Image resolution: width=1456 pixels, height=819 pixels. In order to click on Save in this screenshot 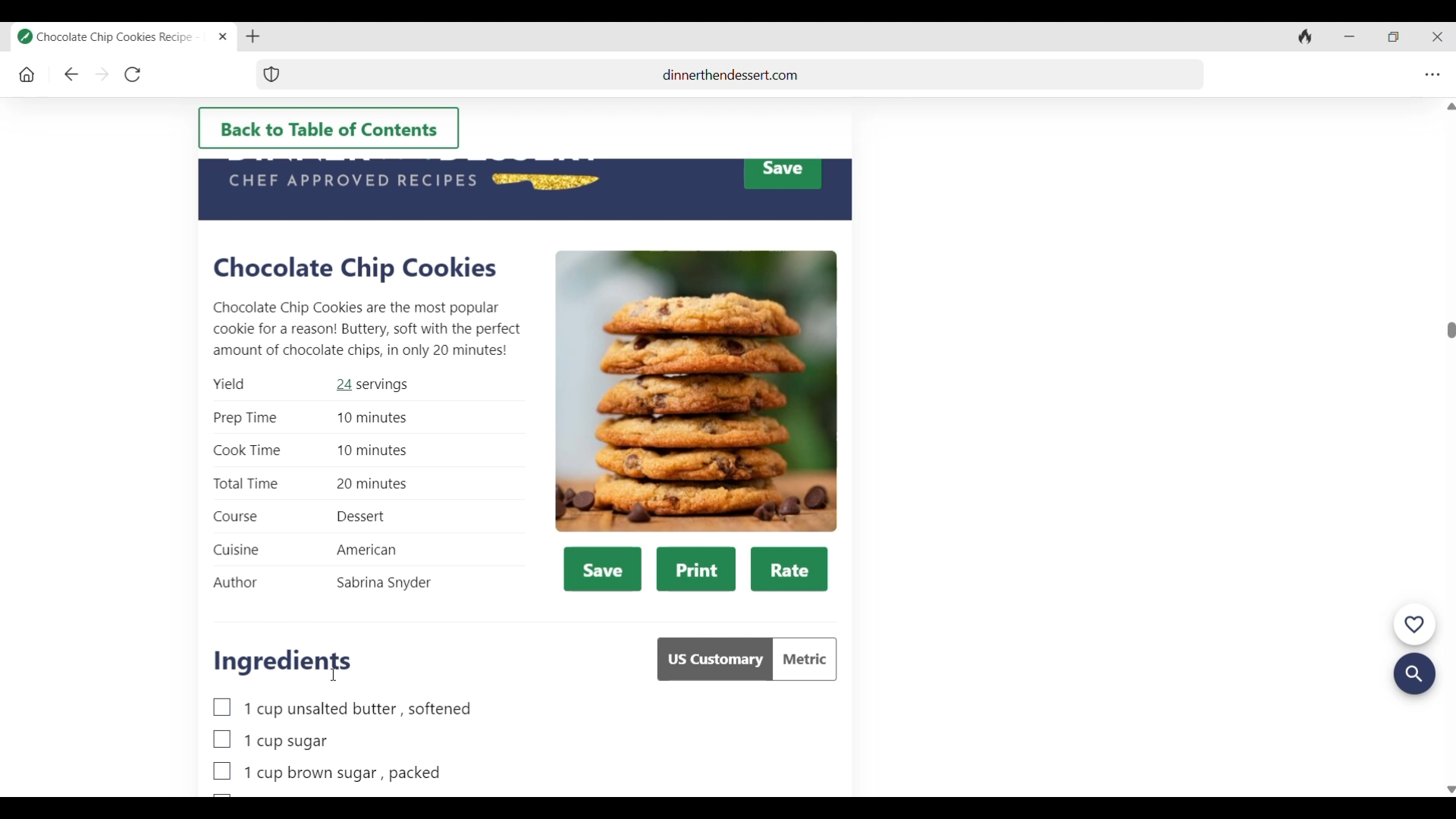, I will do `click(782, 174)`.